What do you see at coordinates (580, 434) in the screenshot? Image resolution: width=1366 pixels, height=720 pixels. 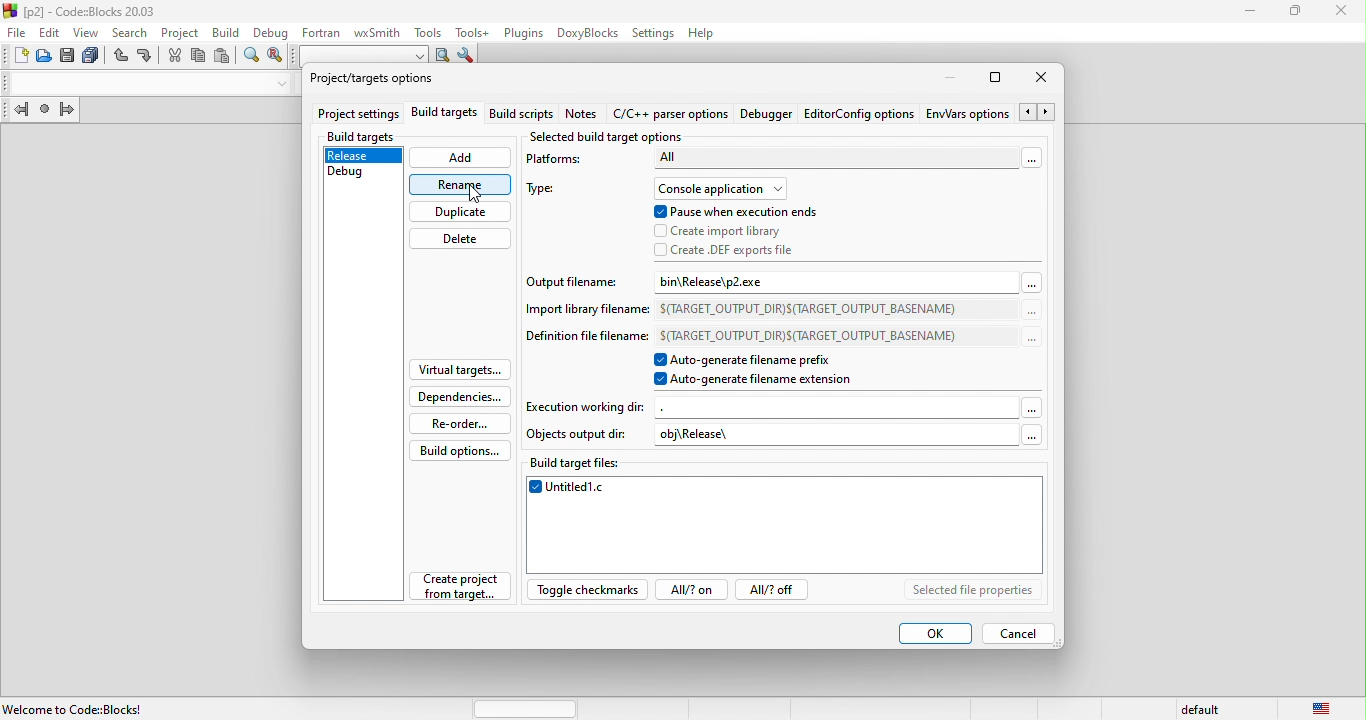 I see `objects output dir` at bounding box center [580, 434].